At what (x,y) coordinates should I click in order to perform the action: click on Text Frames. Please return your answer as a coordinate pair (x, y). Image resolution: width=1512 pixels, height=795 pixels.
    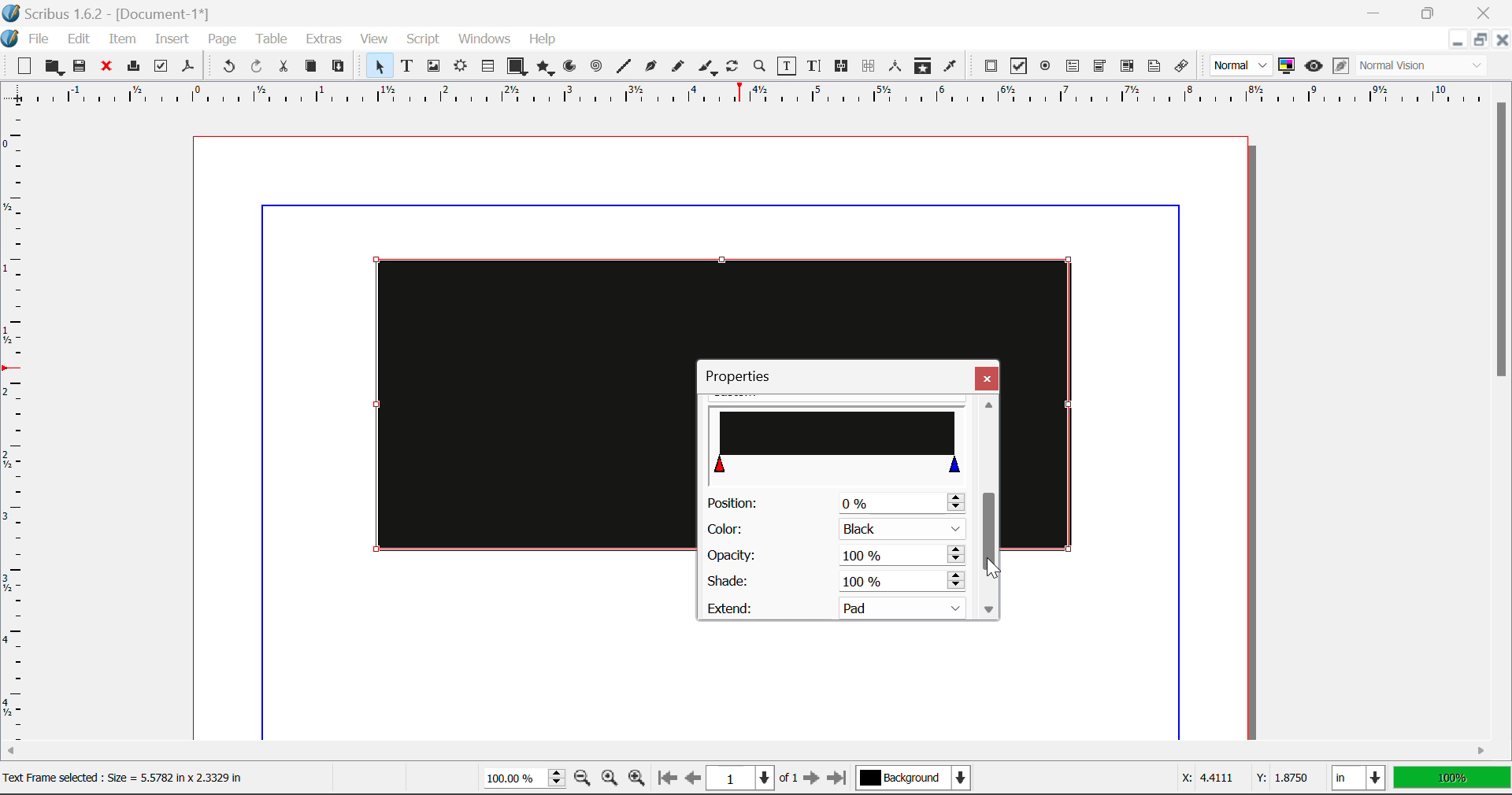
    Looking at the image, I should click on (407, 68).